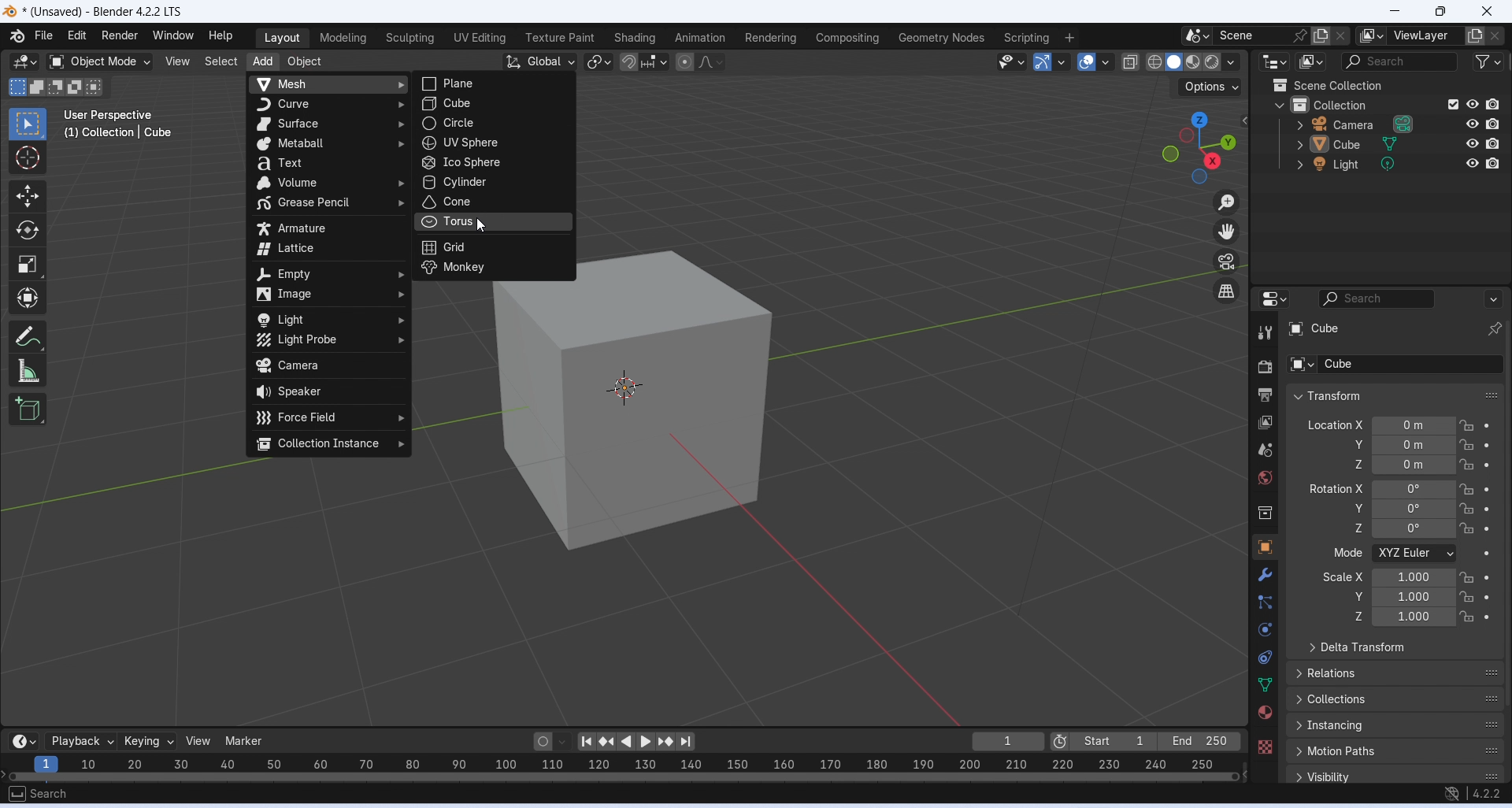 The width and height of the screenshot is (1512, 808). What do you see at coordinates (327, 248) in the screenshot?
I see `lattice` at bounding box center [327, 248].